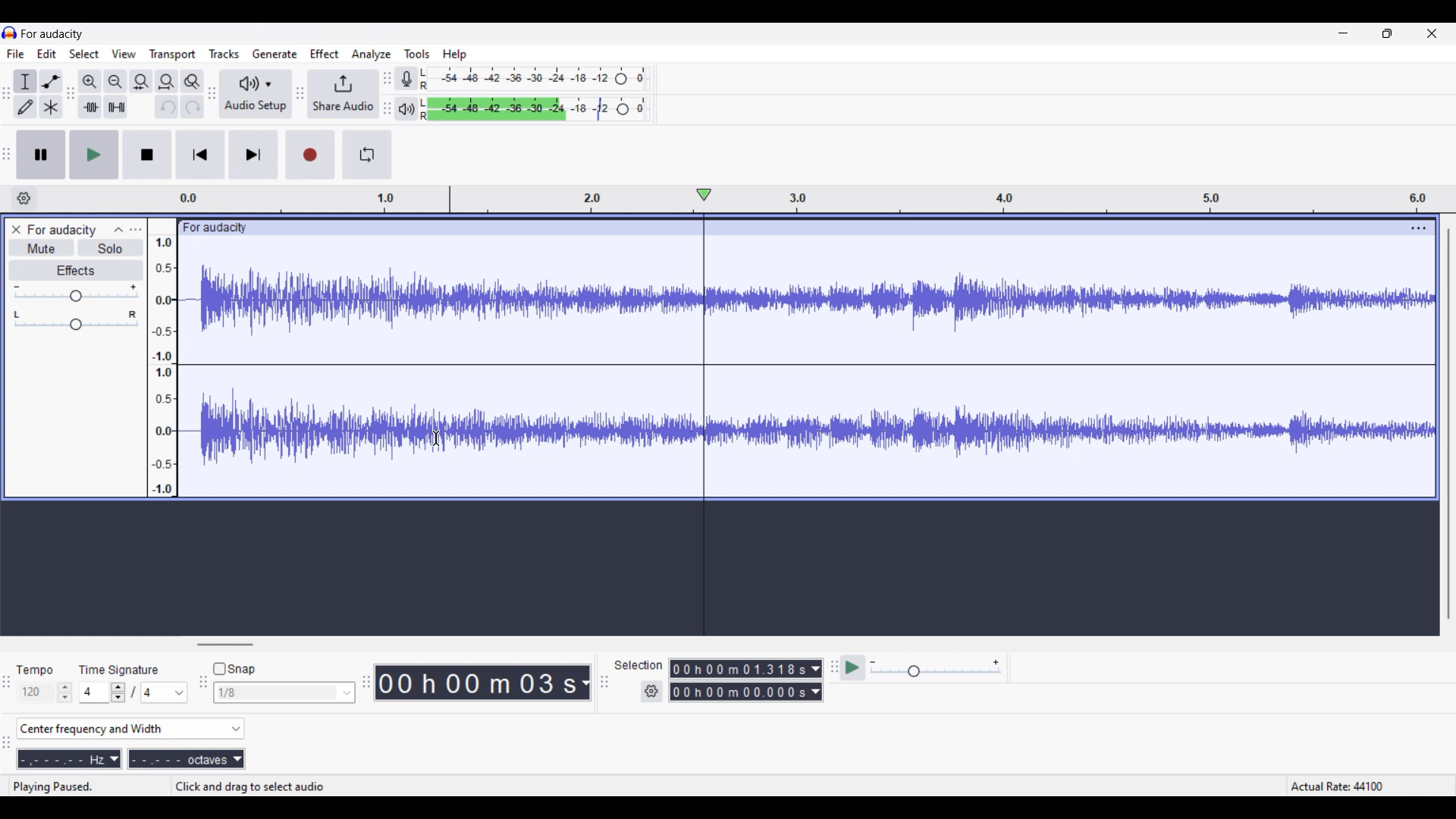 The width and height of the screenshot is (1456, 819). Describe the element at coordinates (61, 230) in the screenshot. I see `Project name` at that location.